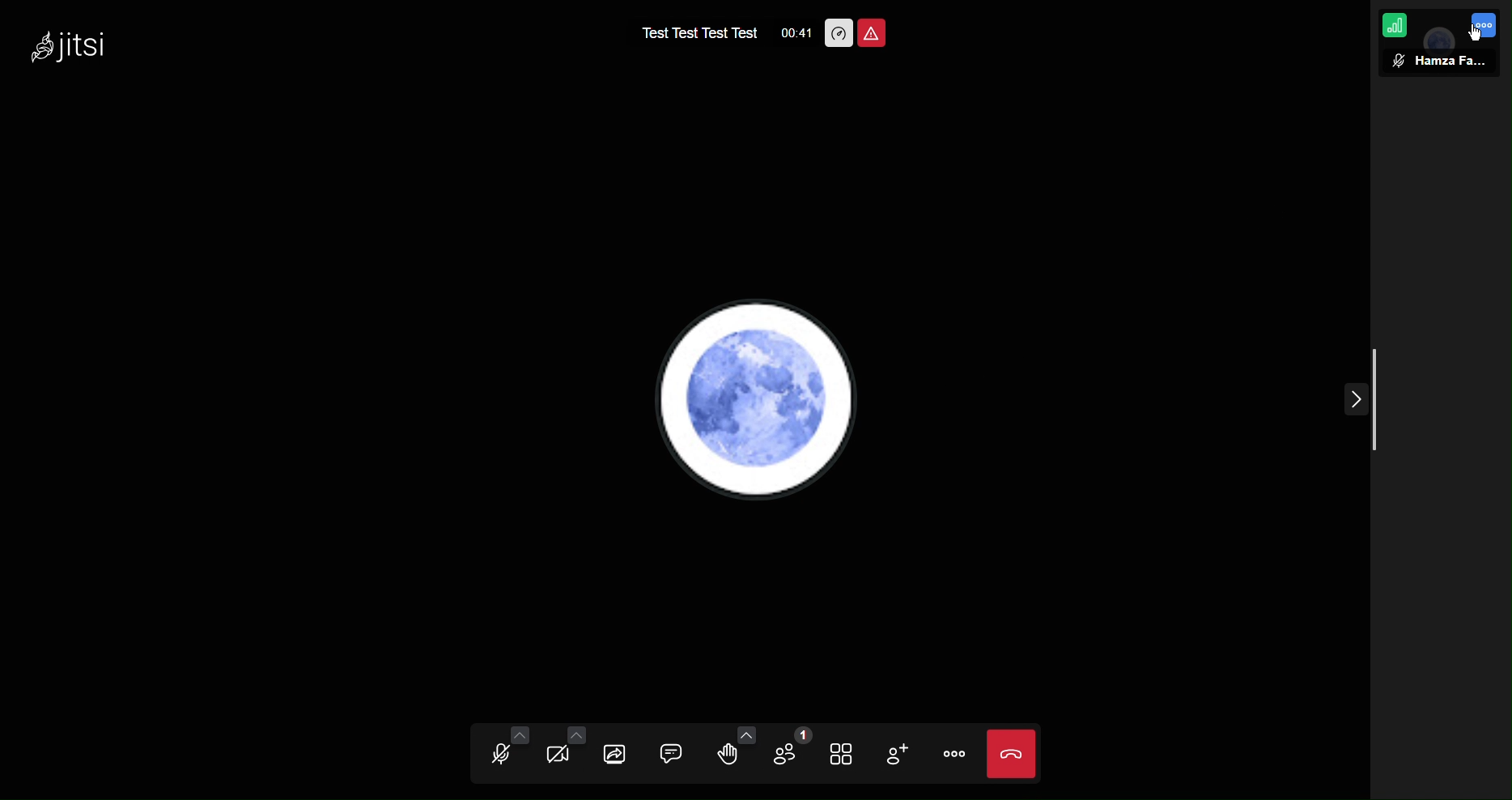  Describe the element at coordinates (691, 32) in the screenshot. I see `Test Test Test Test` at that location.